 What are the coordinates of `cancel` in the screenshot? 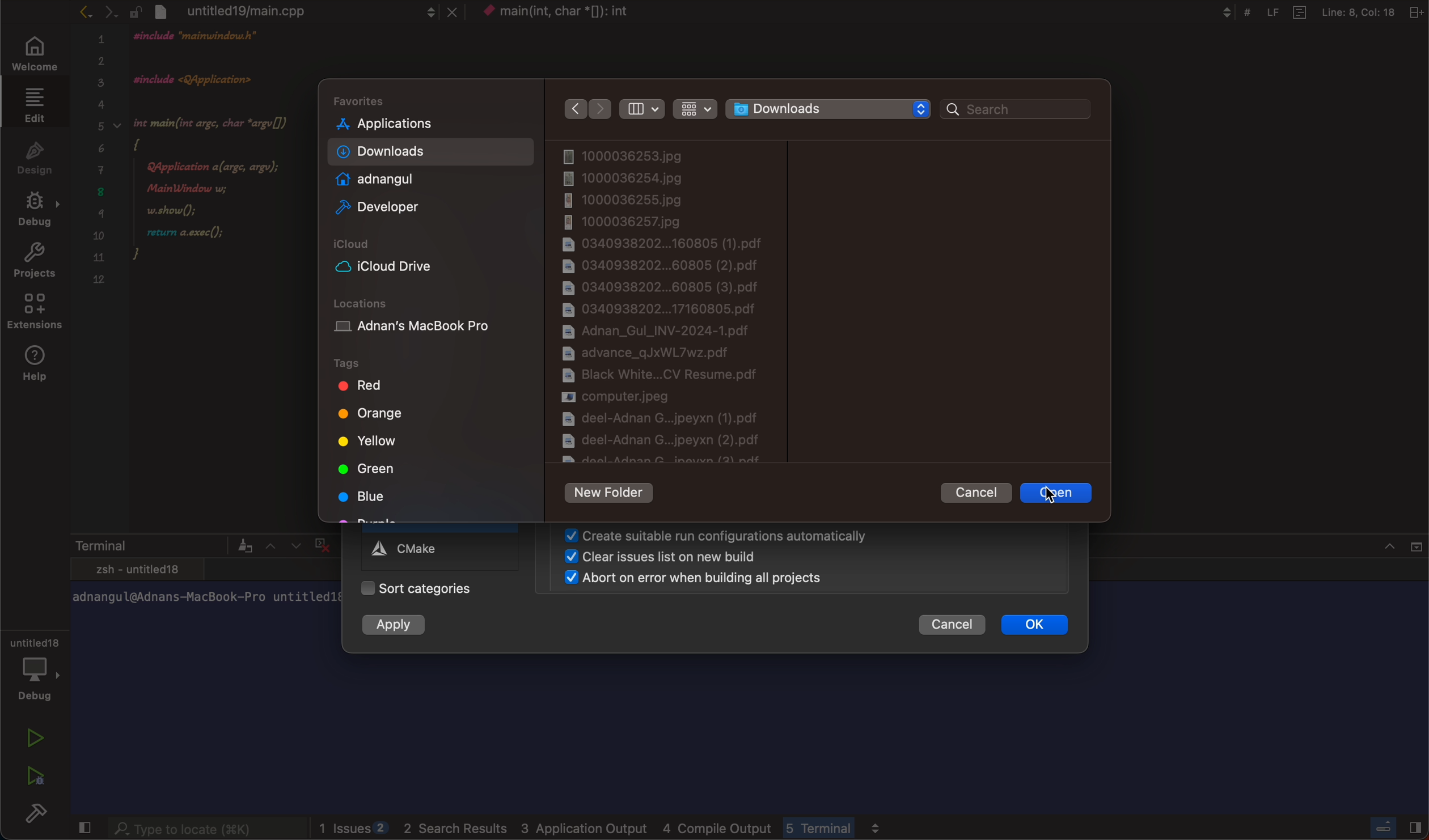 It's located at (980, 495).